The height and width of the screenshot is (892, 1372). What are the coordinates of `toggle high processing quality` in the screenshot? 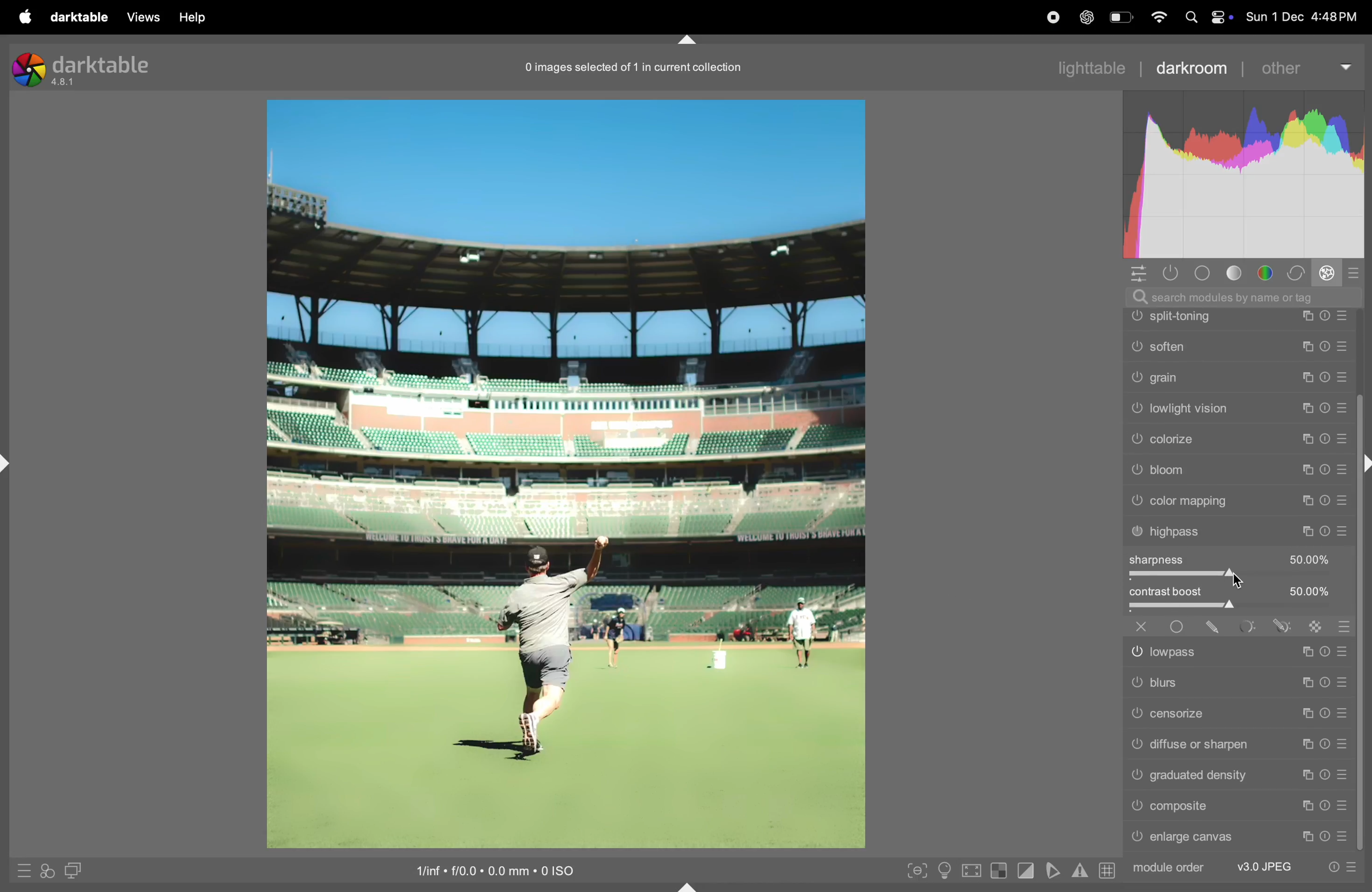 It's located at (971, 870).